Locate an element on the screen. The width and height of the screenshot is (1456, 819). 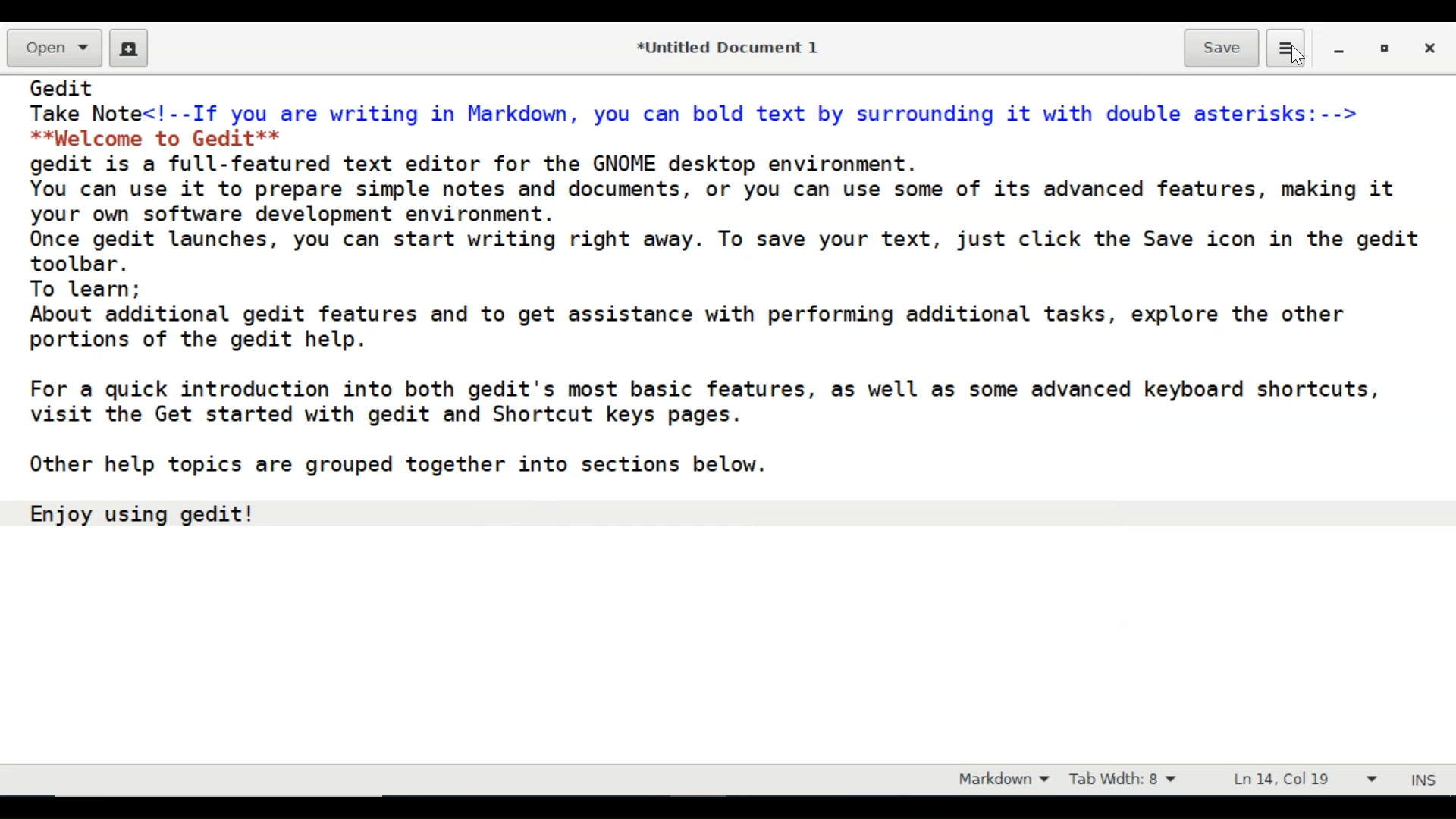
To learn; is located at coordinates (86, 288).